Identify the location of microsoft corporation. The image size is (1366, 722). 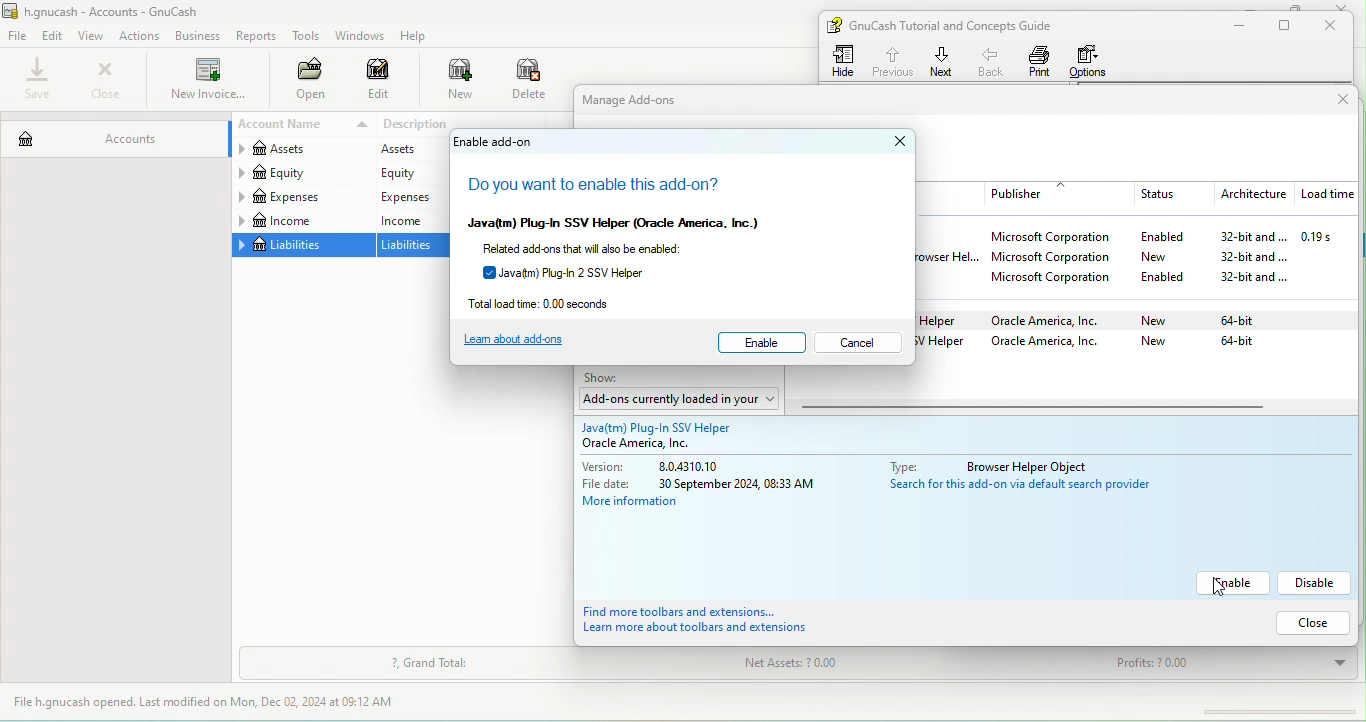
(1058, 280).